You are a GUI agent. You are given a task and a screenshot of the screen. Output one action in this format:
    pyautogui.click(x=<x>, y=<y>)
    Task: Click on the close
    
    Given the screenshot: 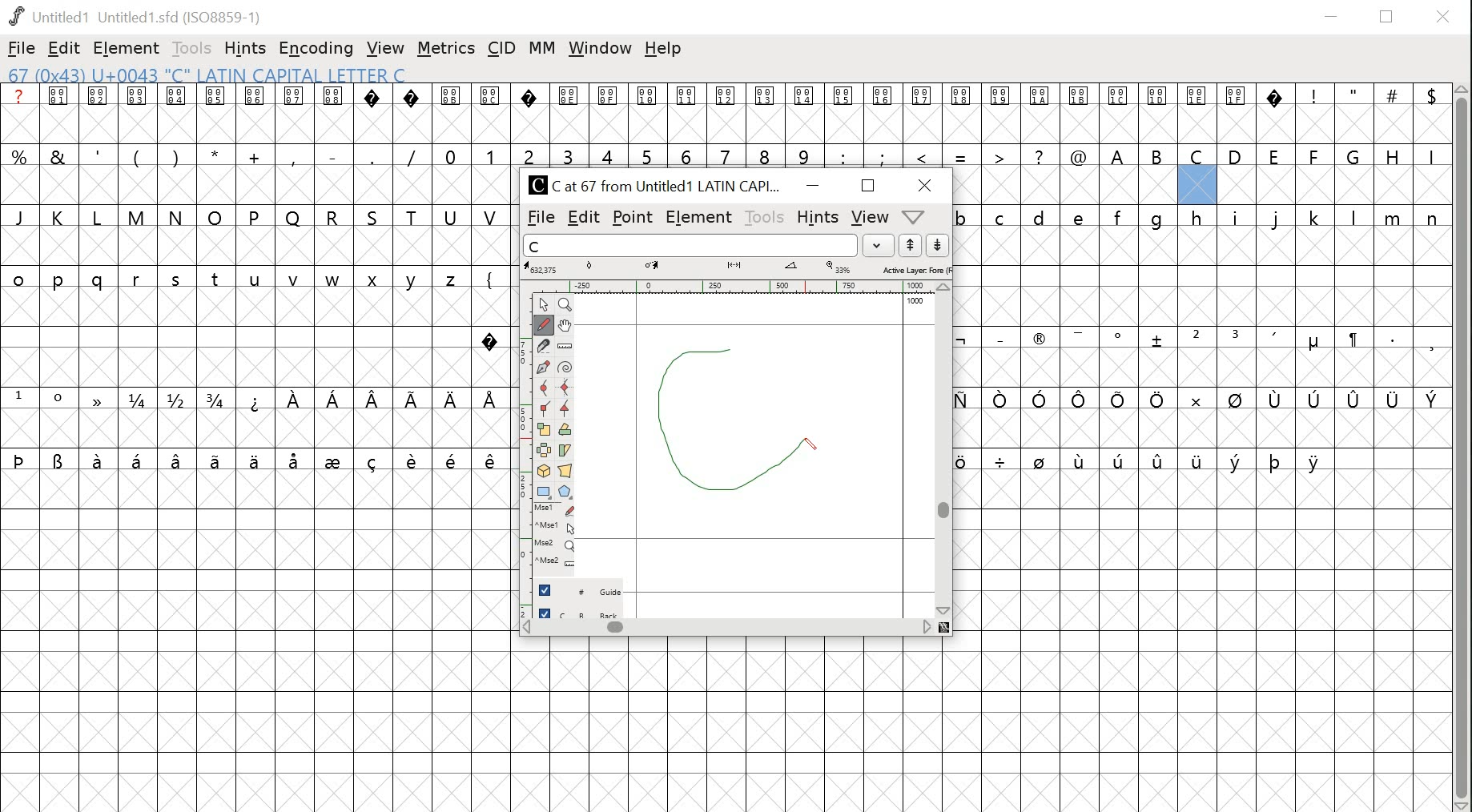 What is the action you would take?
    pyautogui.click(x=1445, y=16)
    